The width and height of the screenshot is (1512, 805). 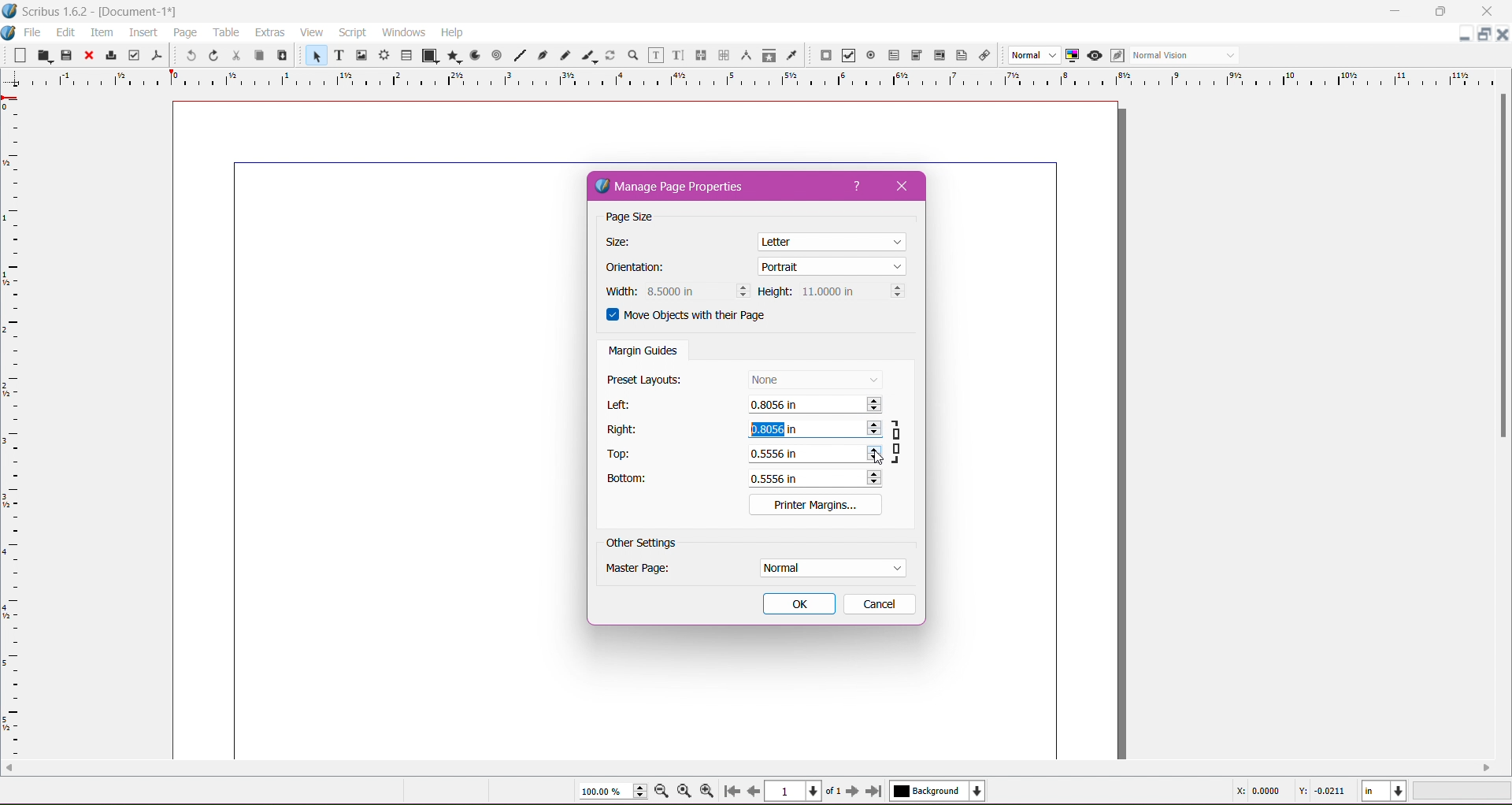 What do you see at coordinates (917, 55) in the screenshot?
I see `PDF Combo Box` at bounding box center [917, 55].